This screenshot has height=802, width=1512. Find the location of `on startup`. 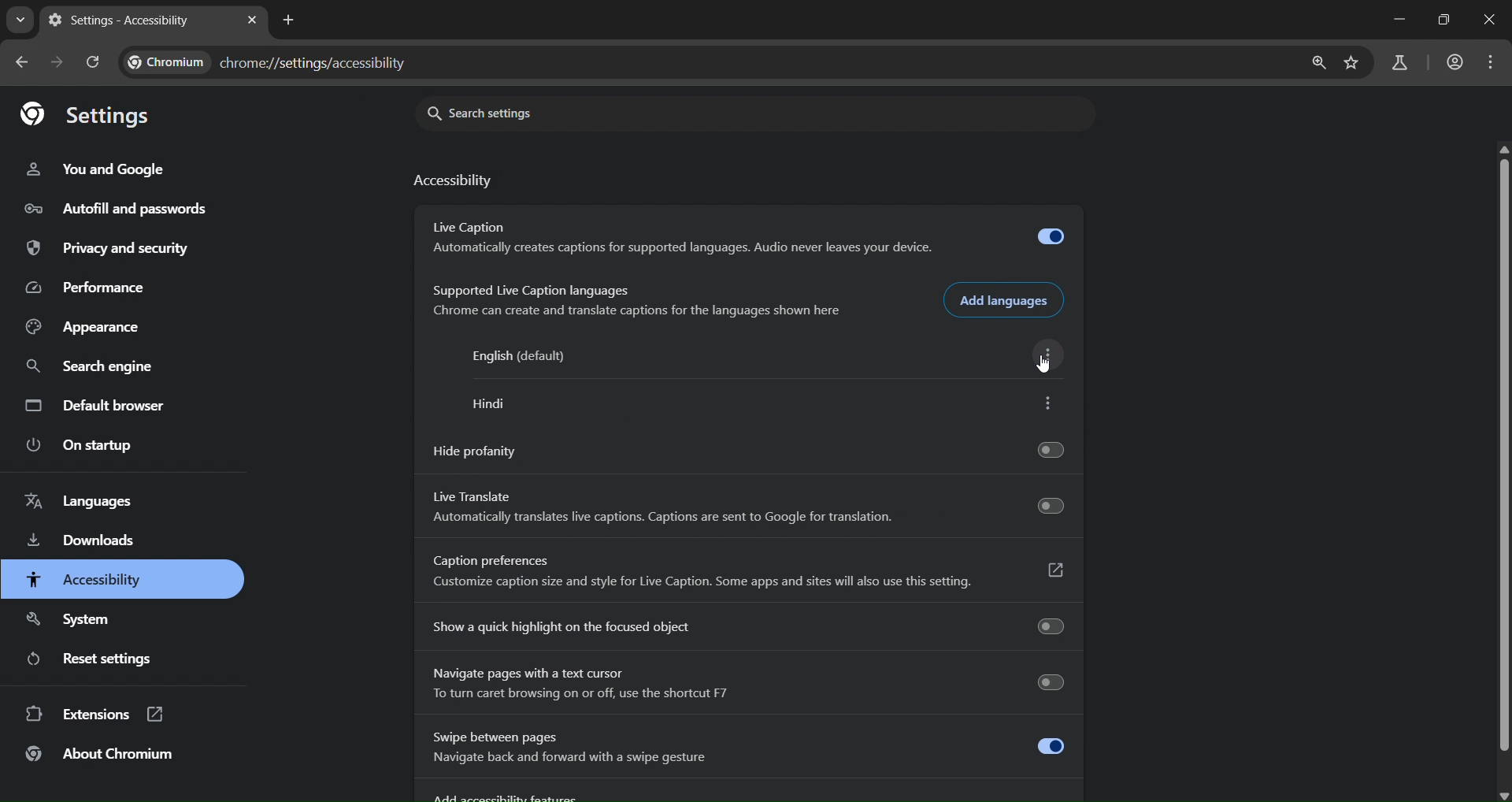

on startup is located at coordinates (80, 446).